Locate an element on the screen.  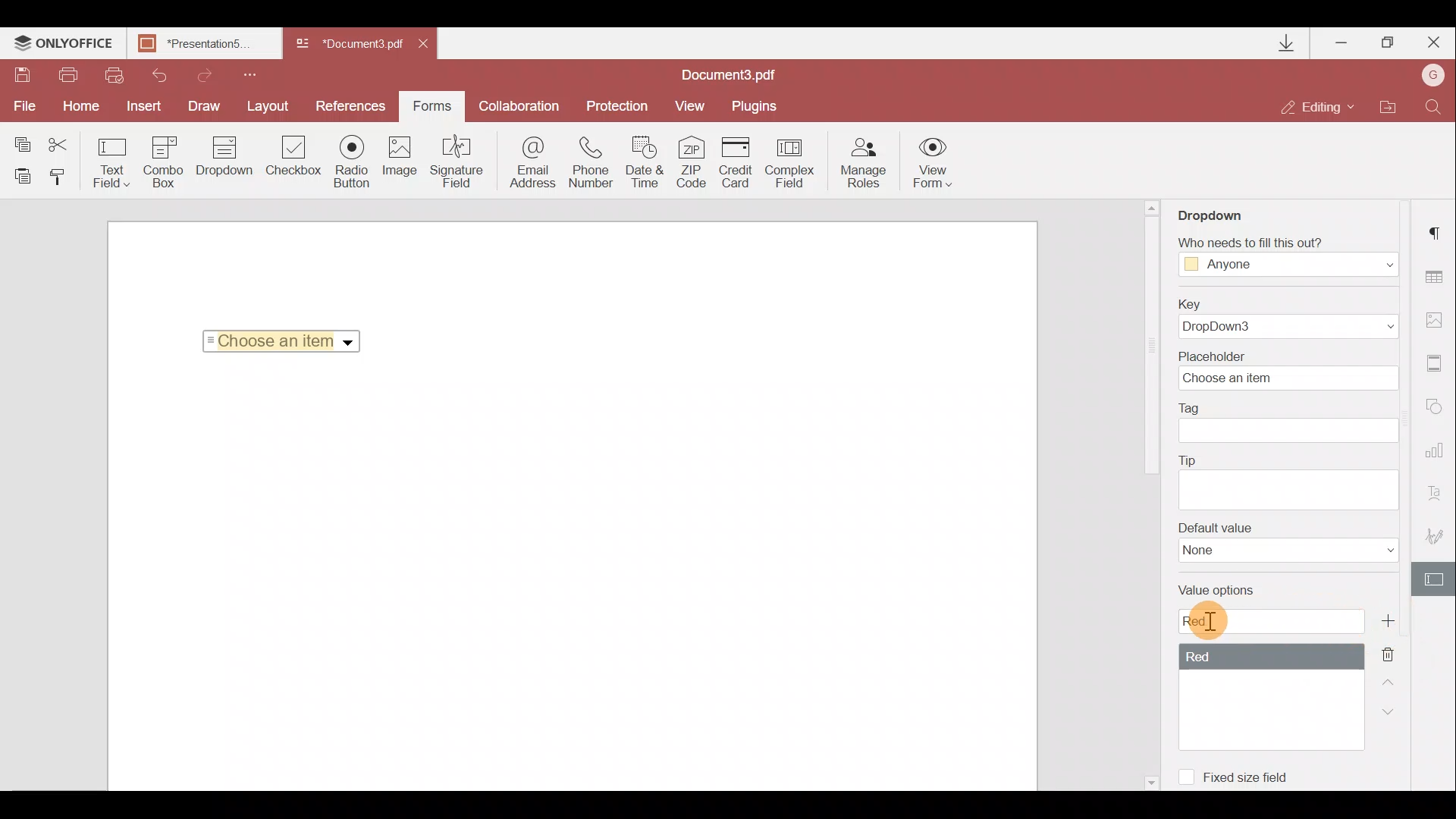
View form is located at coordinates (931, 162).